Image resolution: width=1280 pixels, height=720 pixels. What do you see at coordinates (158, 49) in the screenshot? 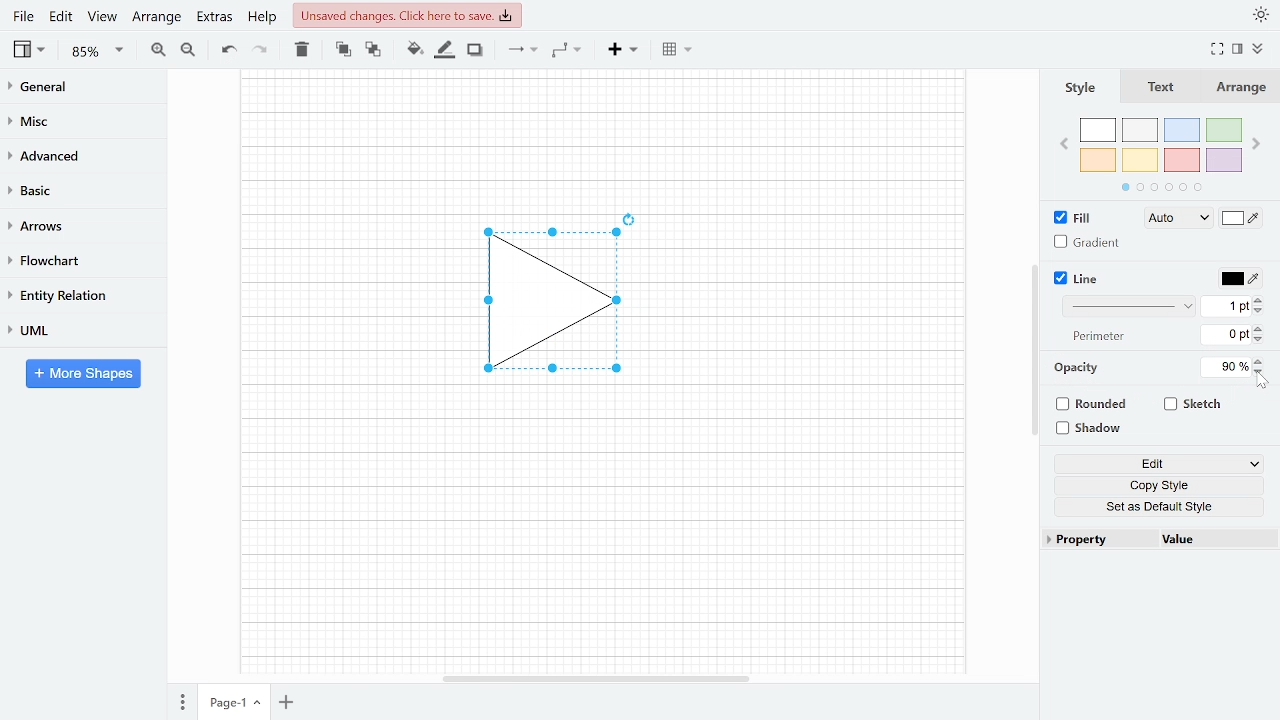
I see `Zoom in` at bounding box center [158, 49].